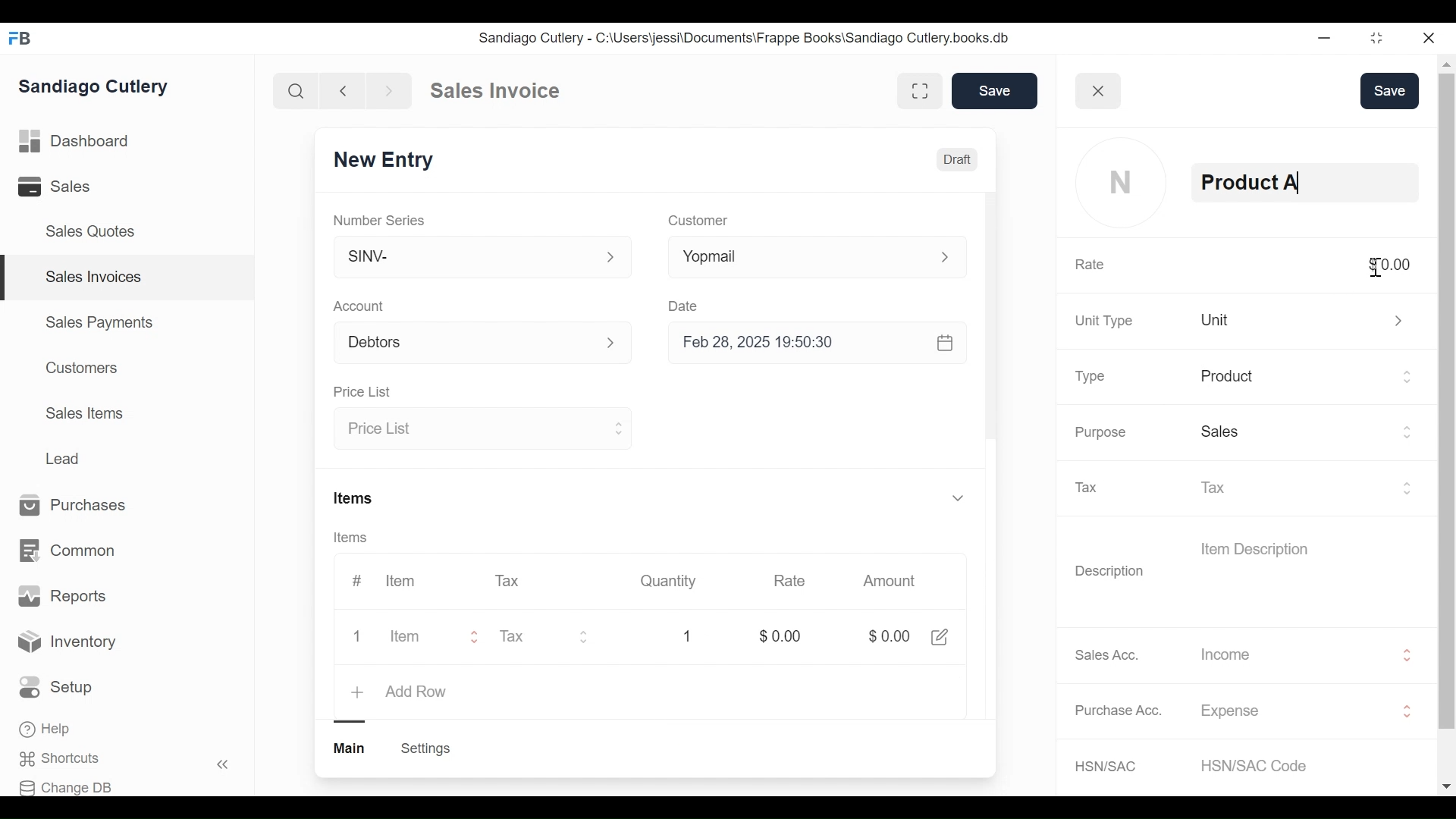 This screenshot has width=1456, height=819. Describe the element at coordinates (1100, 432) in the screenshot. I see `Purpose` at that location.